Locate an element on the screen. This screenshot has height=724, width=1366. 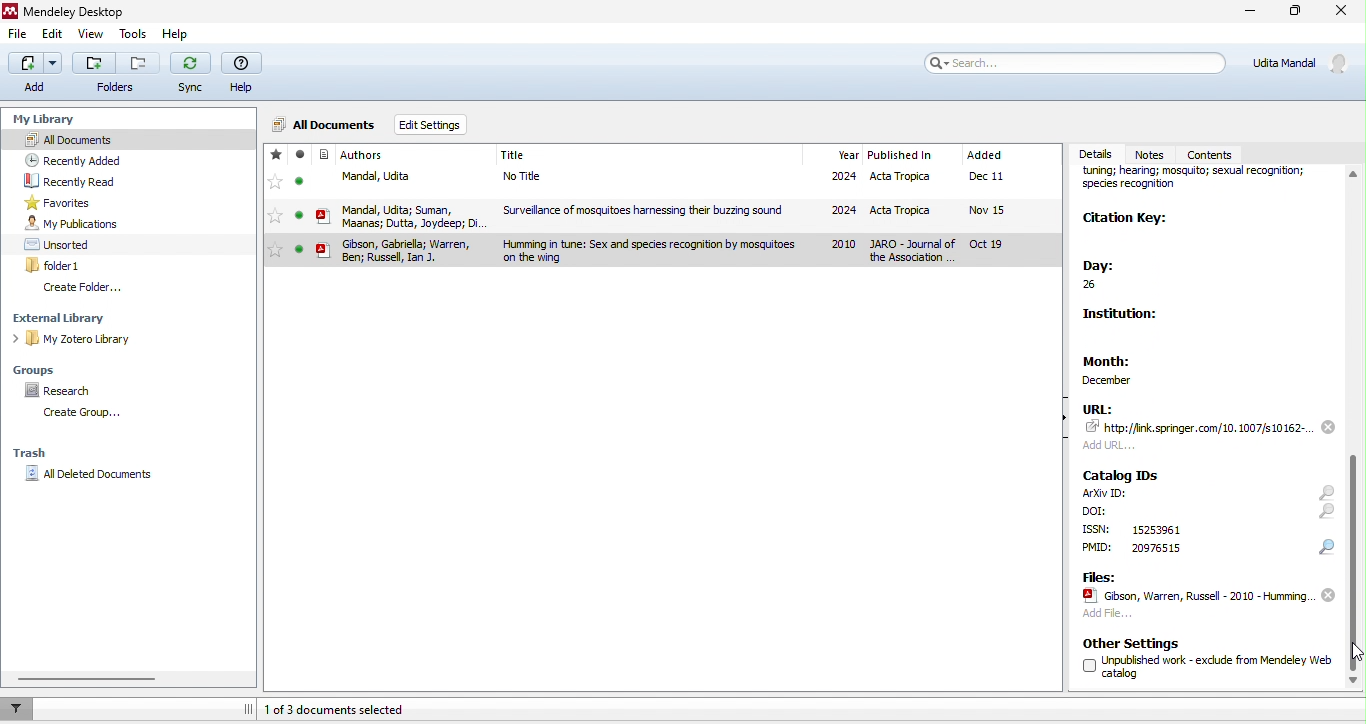
add is located at coordinates (1114, 444).